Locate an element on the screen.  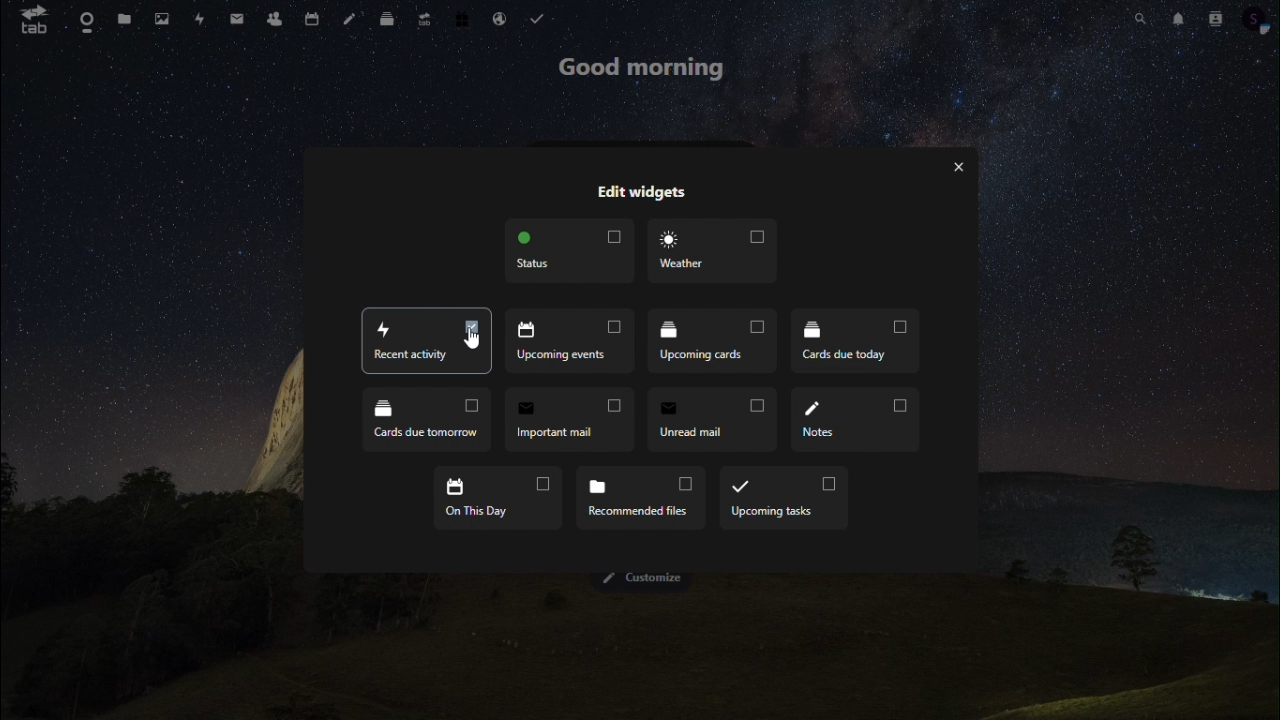
upcoming events is located at coordinates (568, 340).